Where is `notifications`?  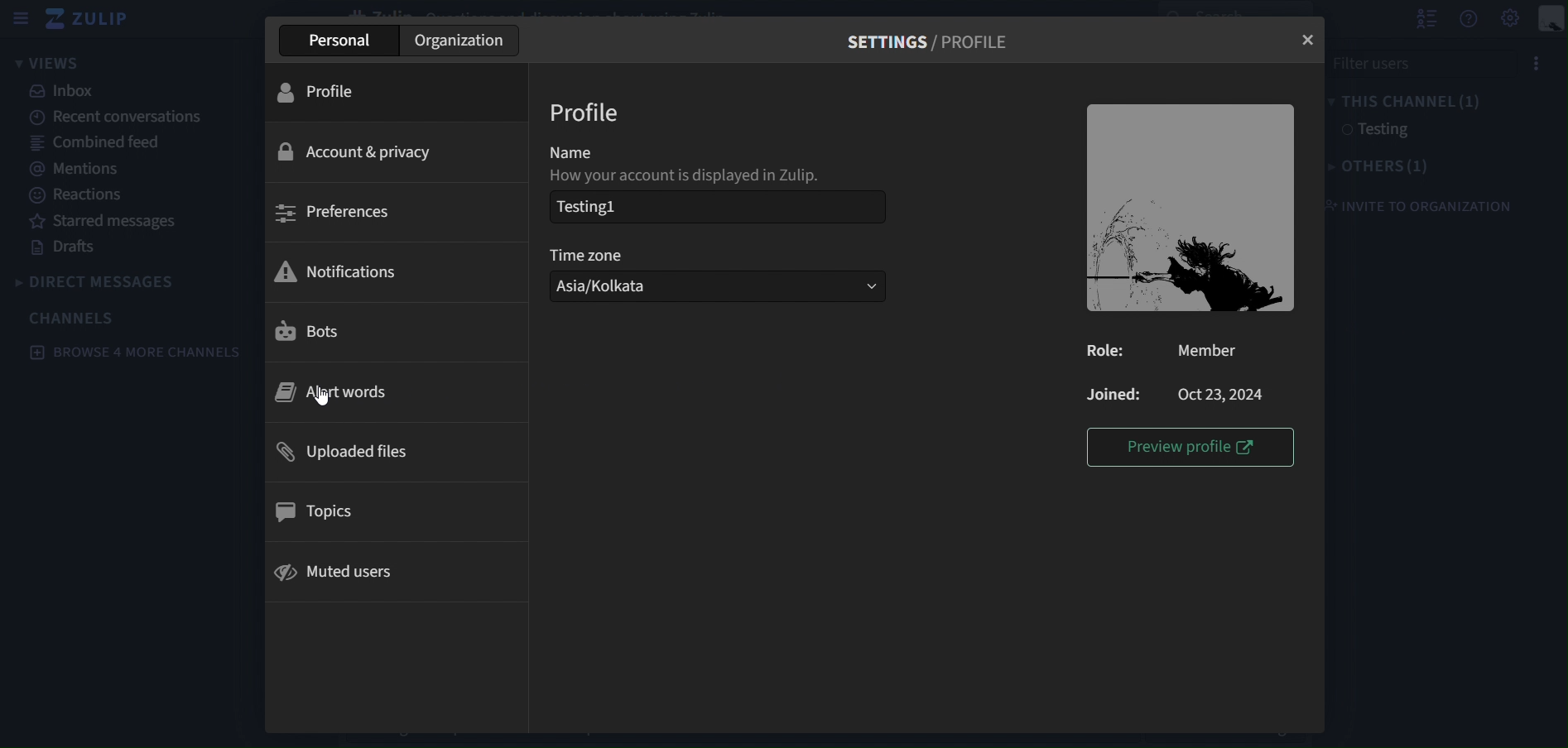
notifications is located at coordinates (348, 269).